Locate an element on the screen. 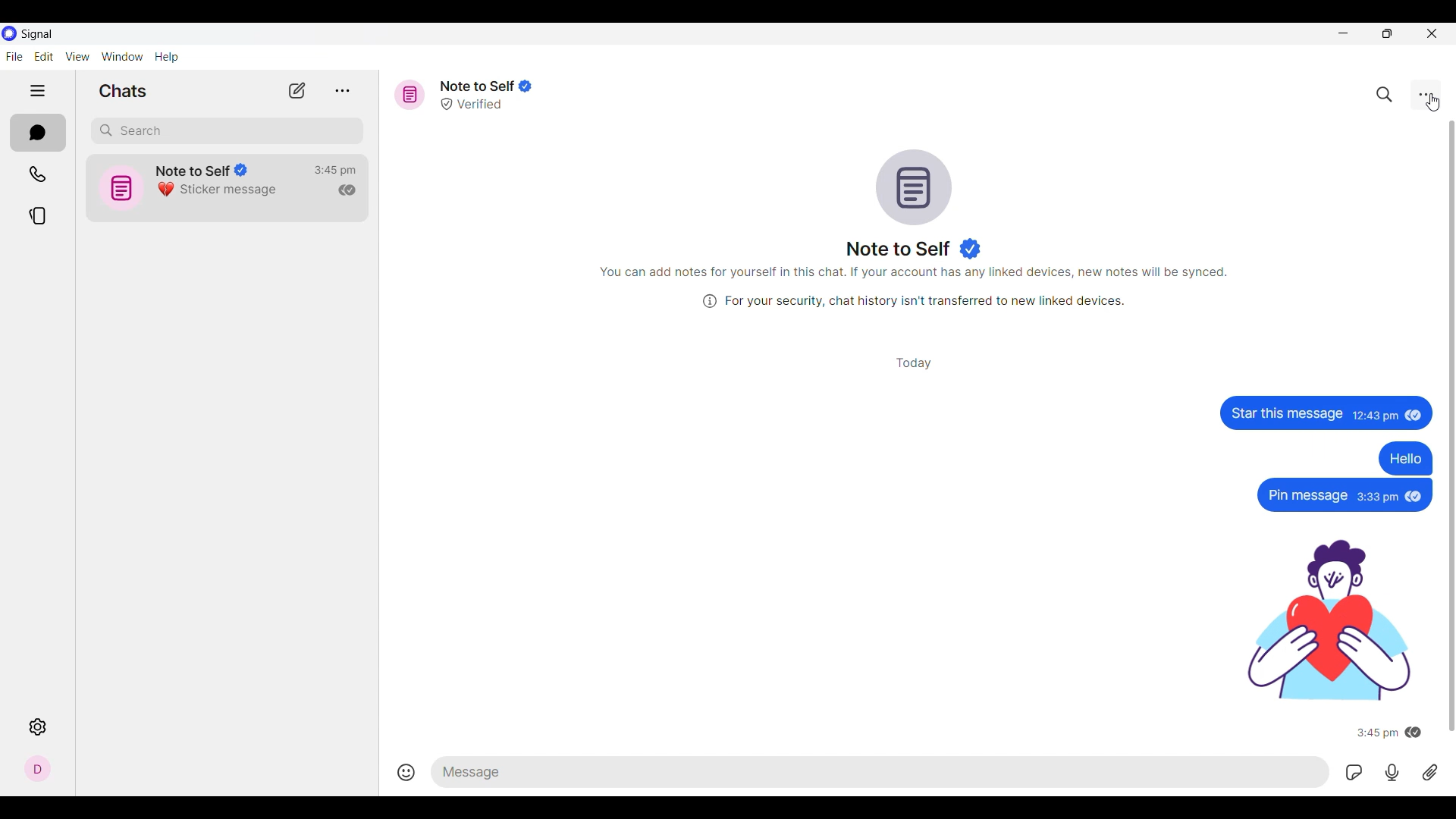  Section title is located at coordinates (123, 90).